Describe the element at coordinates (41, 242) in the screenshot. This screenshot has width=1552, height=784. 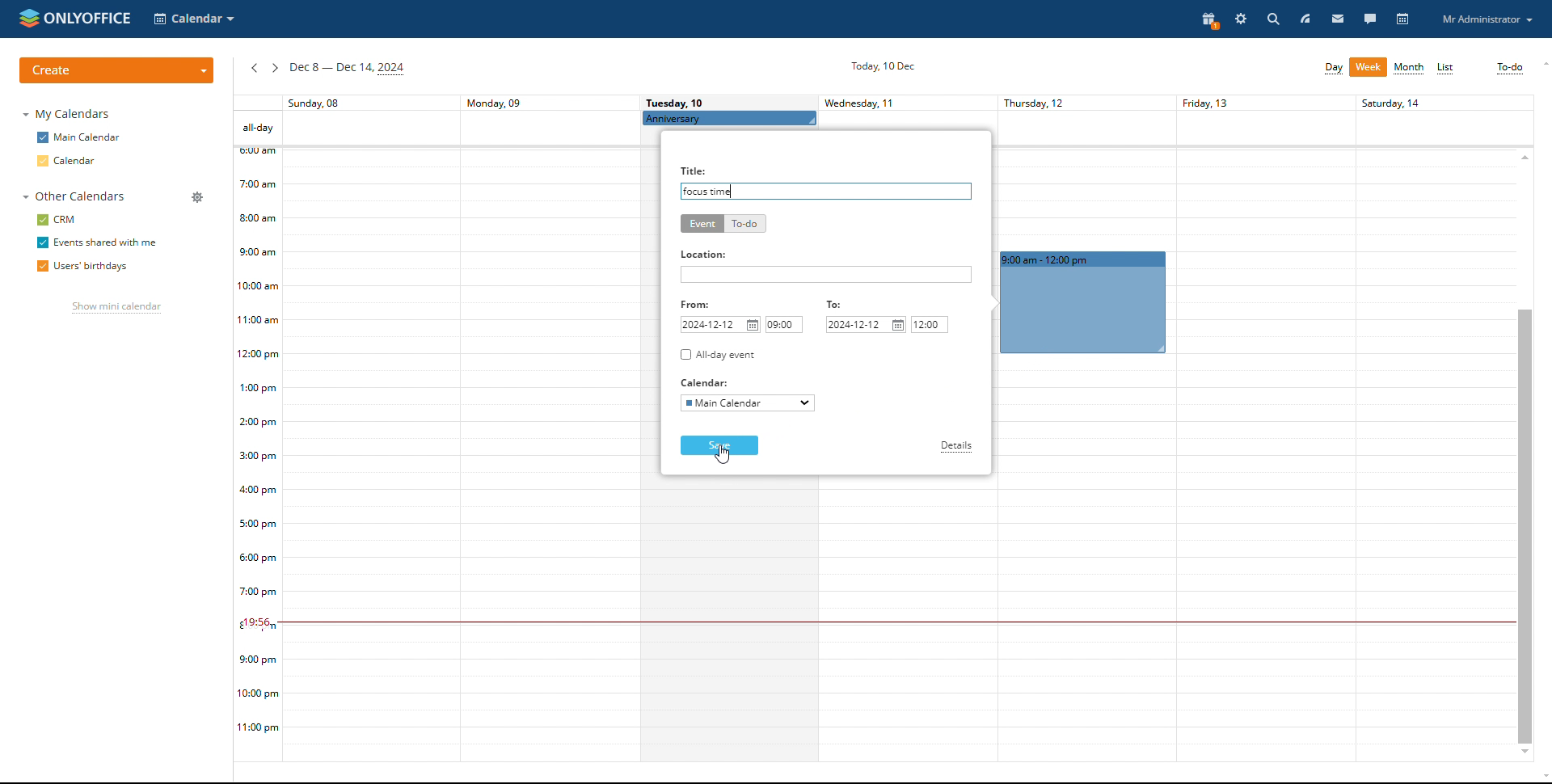
I see `checkbox` at that location.